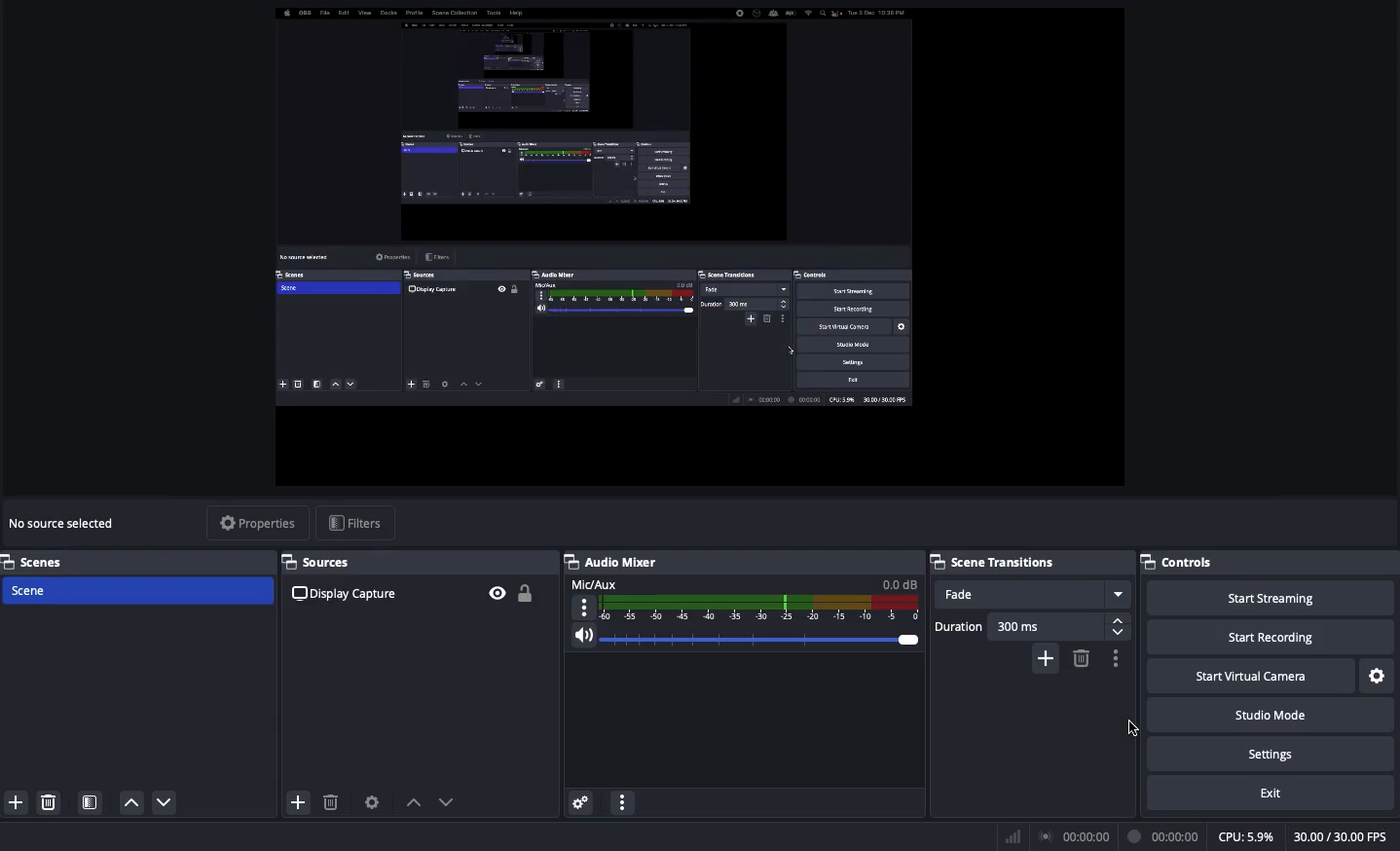  I want to click on Start streaming, so click(1283, 600).